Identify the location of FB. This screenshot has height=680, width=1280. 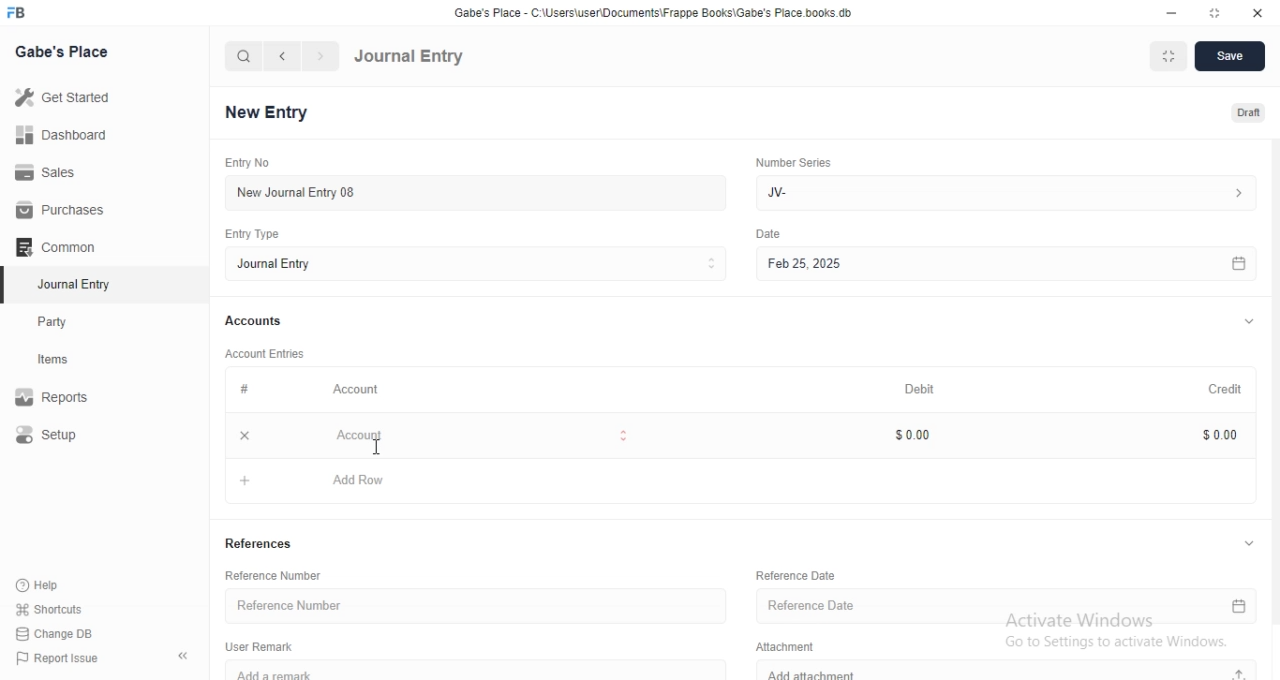
(18, 13).